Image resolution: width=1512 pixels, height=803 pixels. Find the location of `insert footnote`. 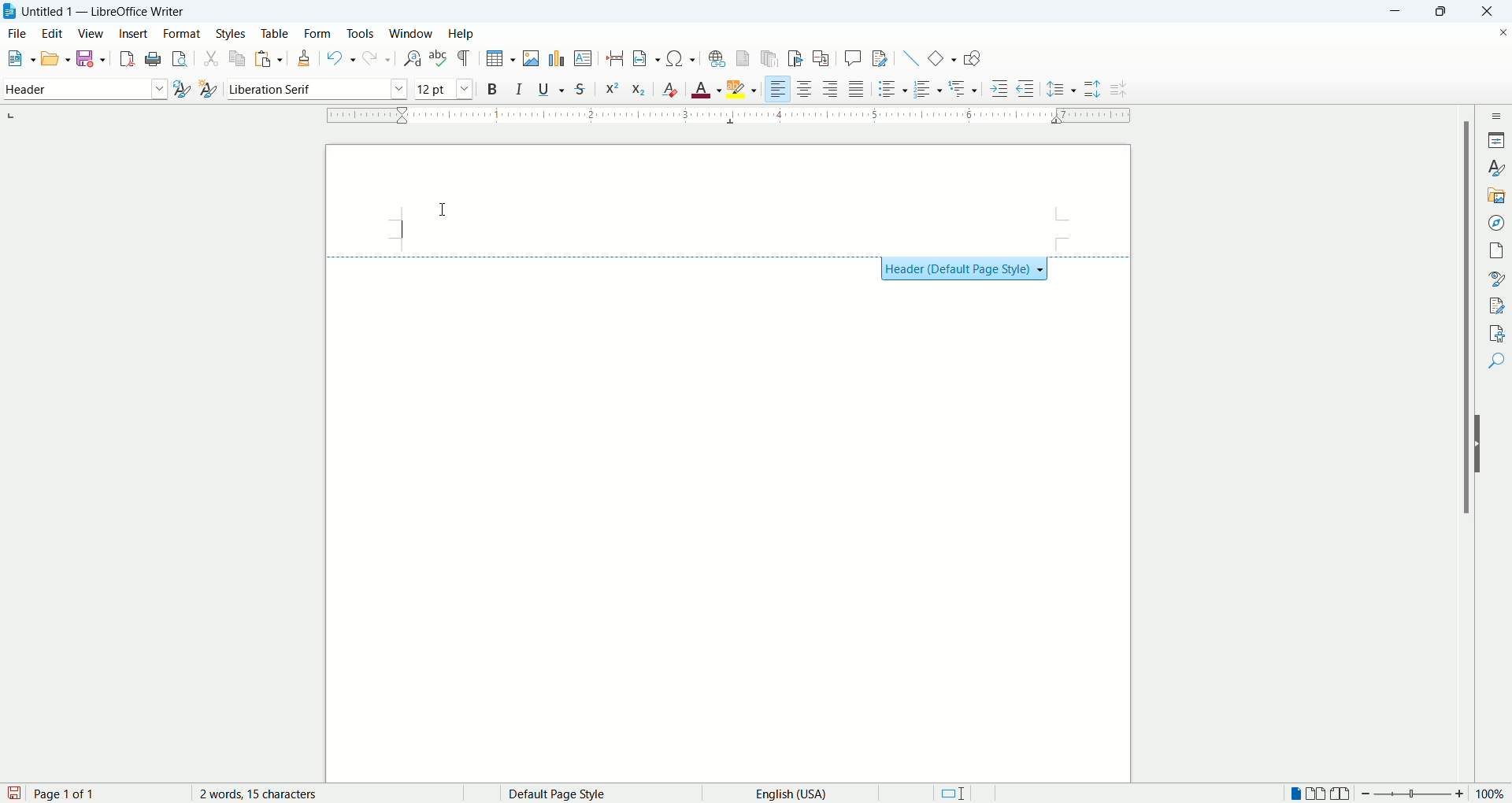

insert footnote is located at coordinates (718, 59).